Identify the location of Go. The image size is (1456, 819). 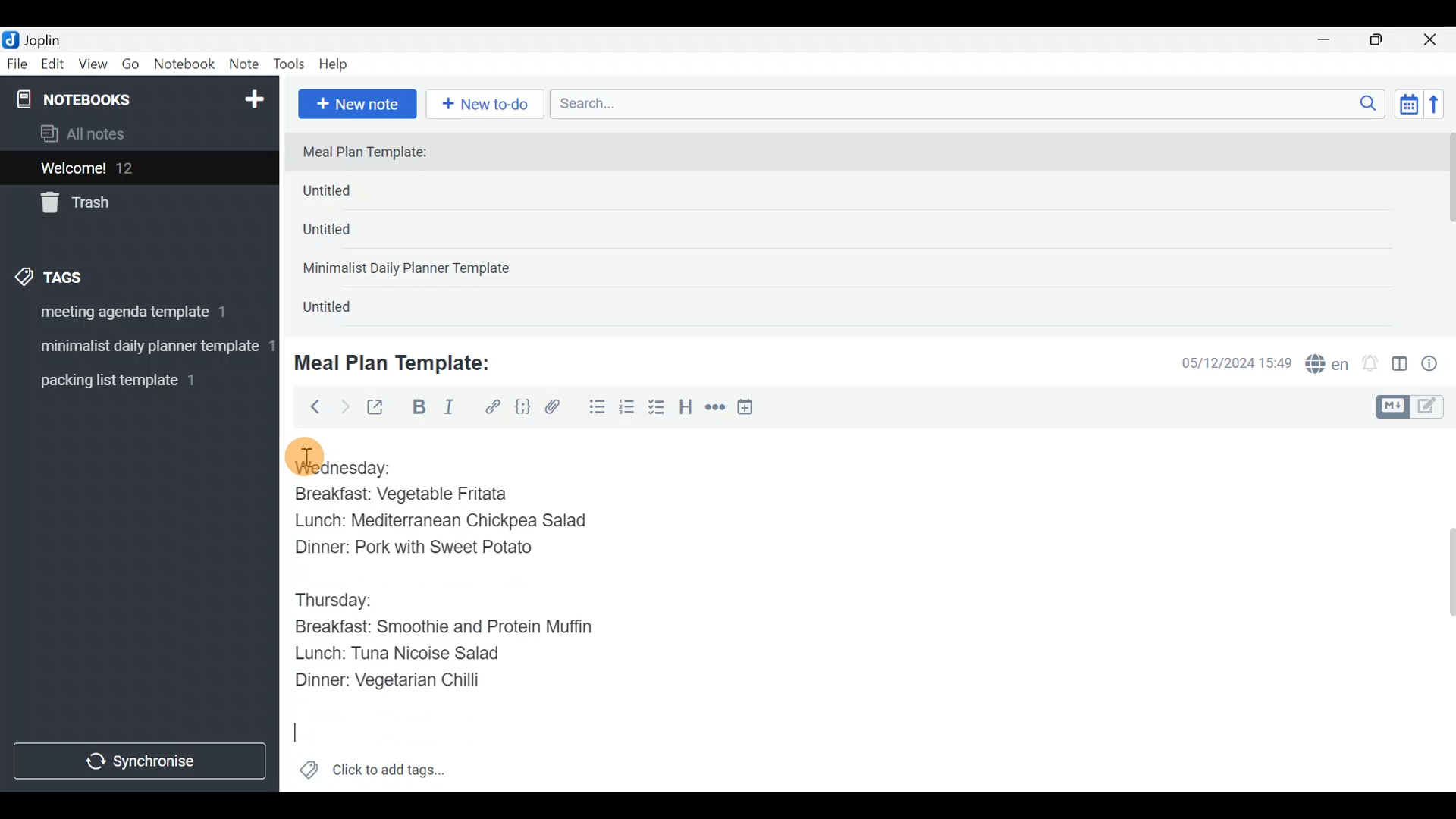
(130, 67).